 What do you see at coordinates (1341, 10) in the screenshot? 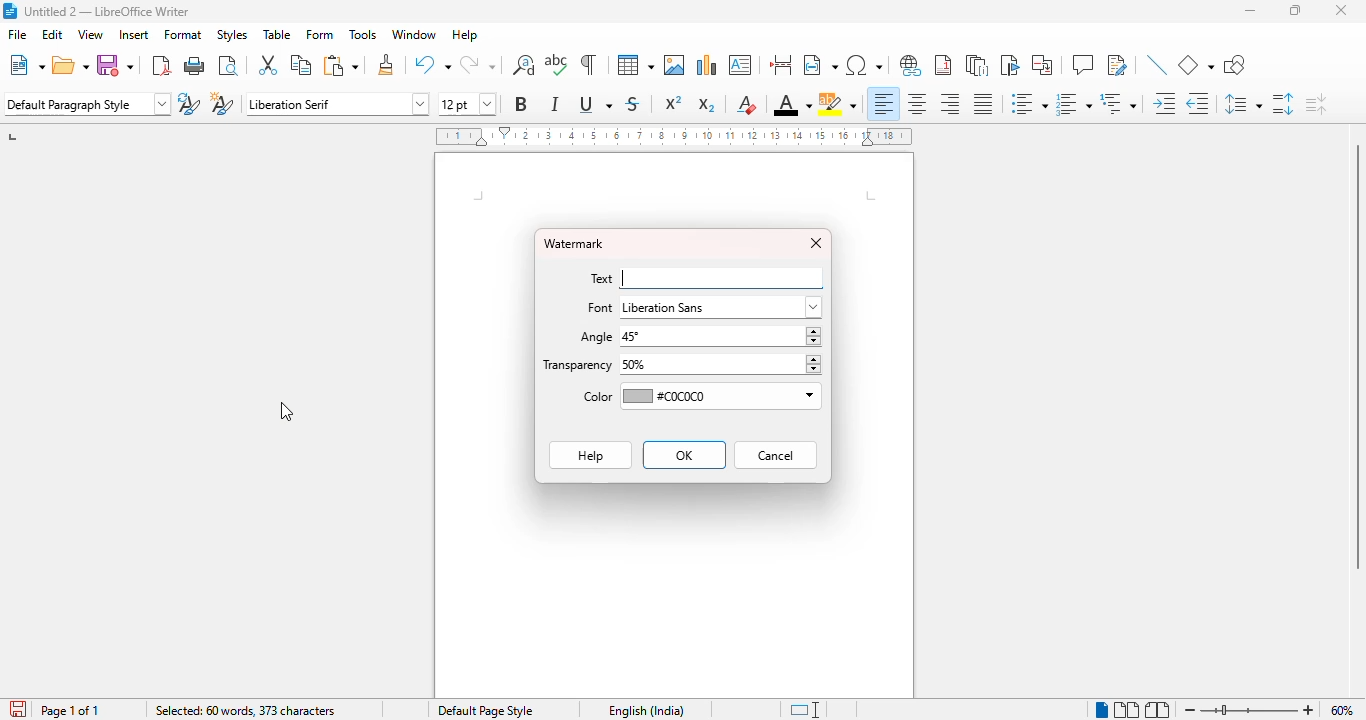
I see `close` at bounding box center [1341, 10].